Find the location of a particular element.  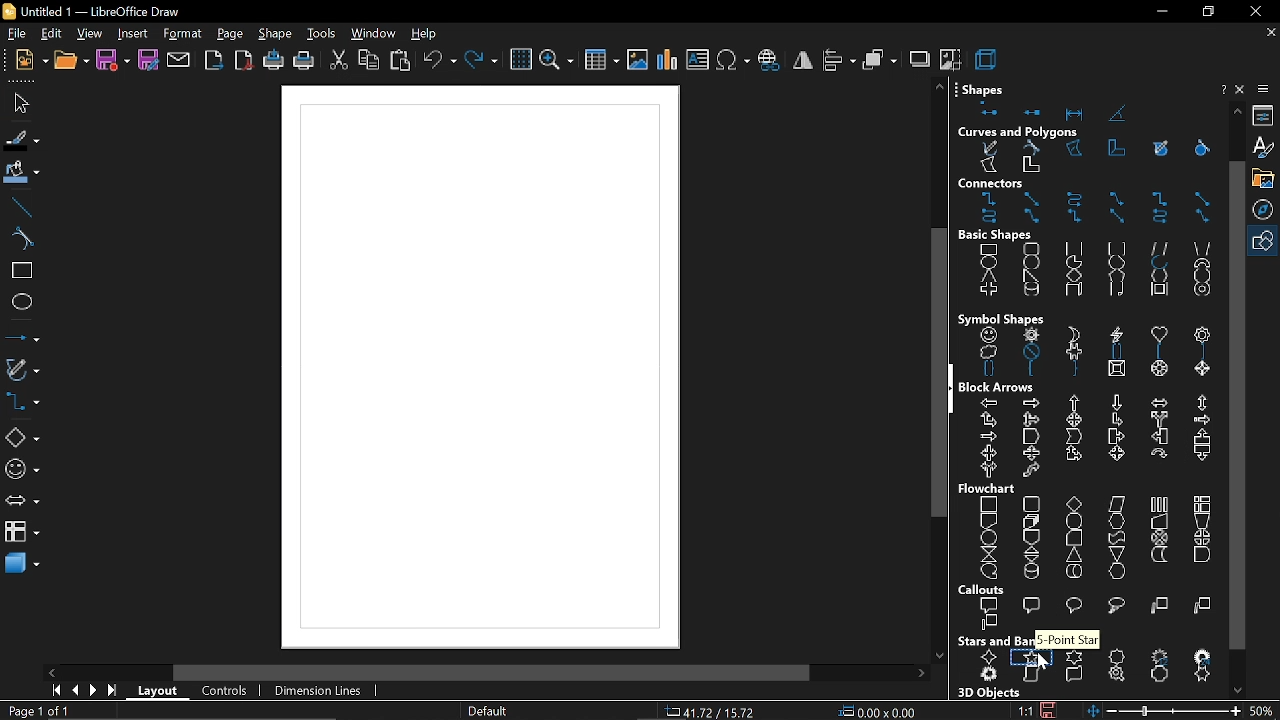

basic shapes is located at coordinates (22, 438).